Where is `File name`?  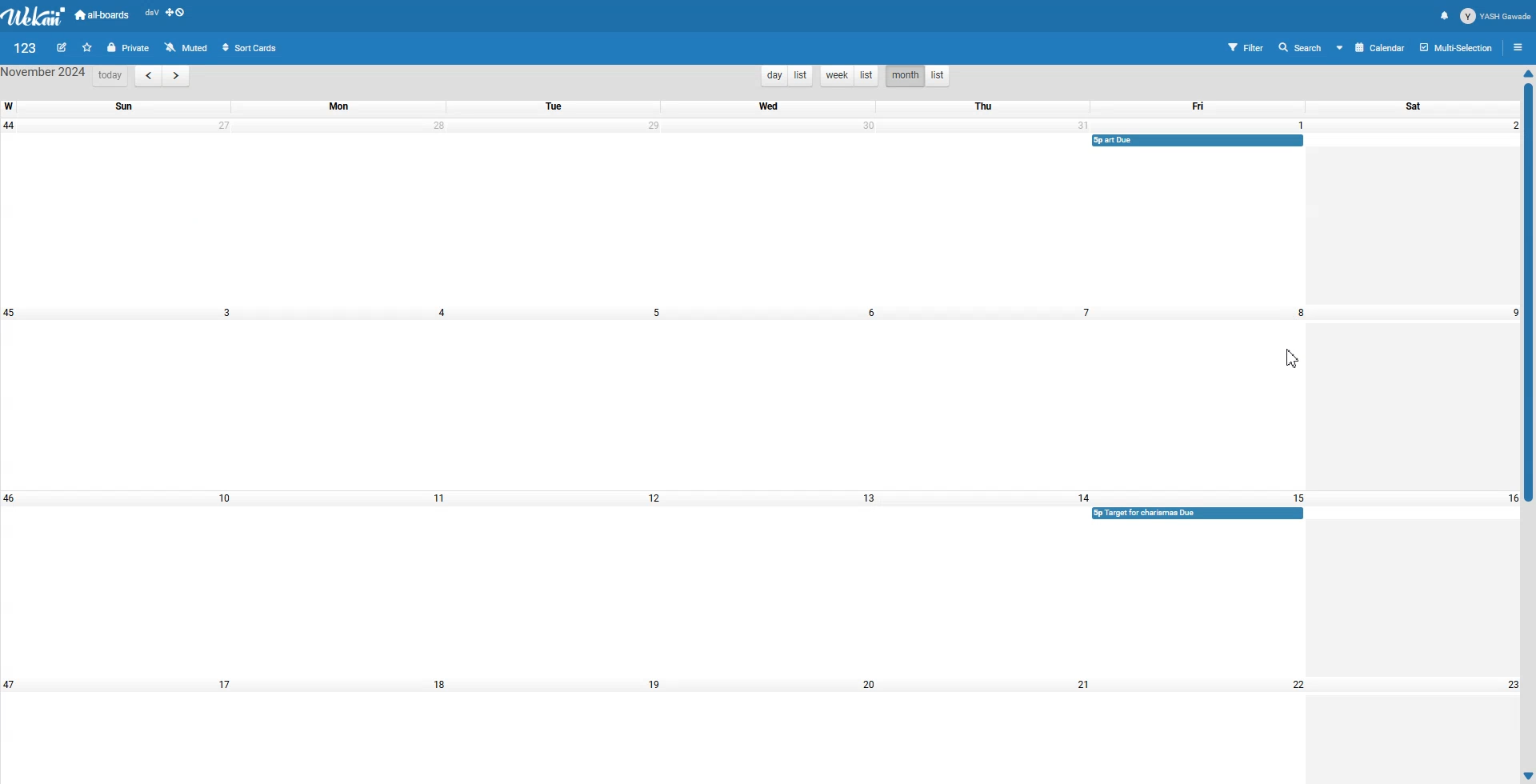 File name is located at coordinates (26, 47).